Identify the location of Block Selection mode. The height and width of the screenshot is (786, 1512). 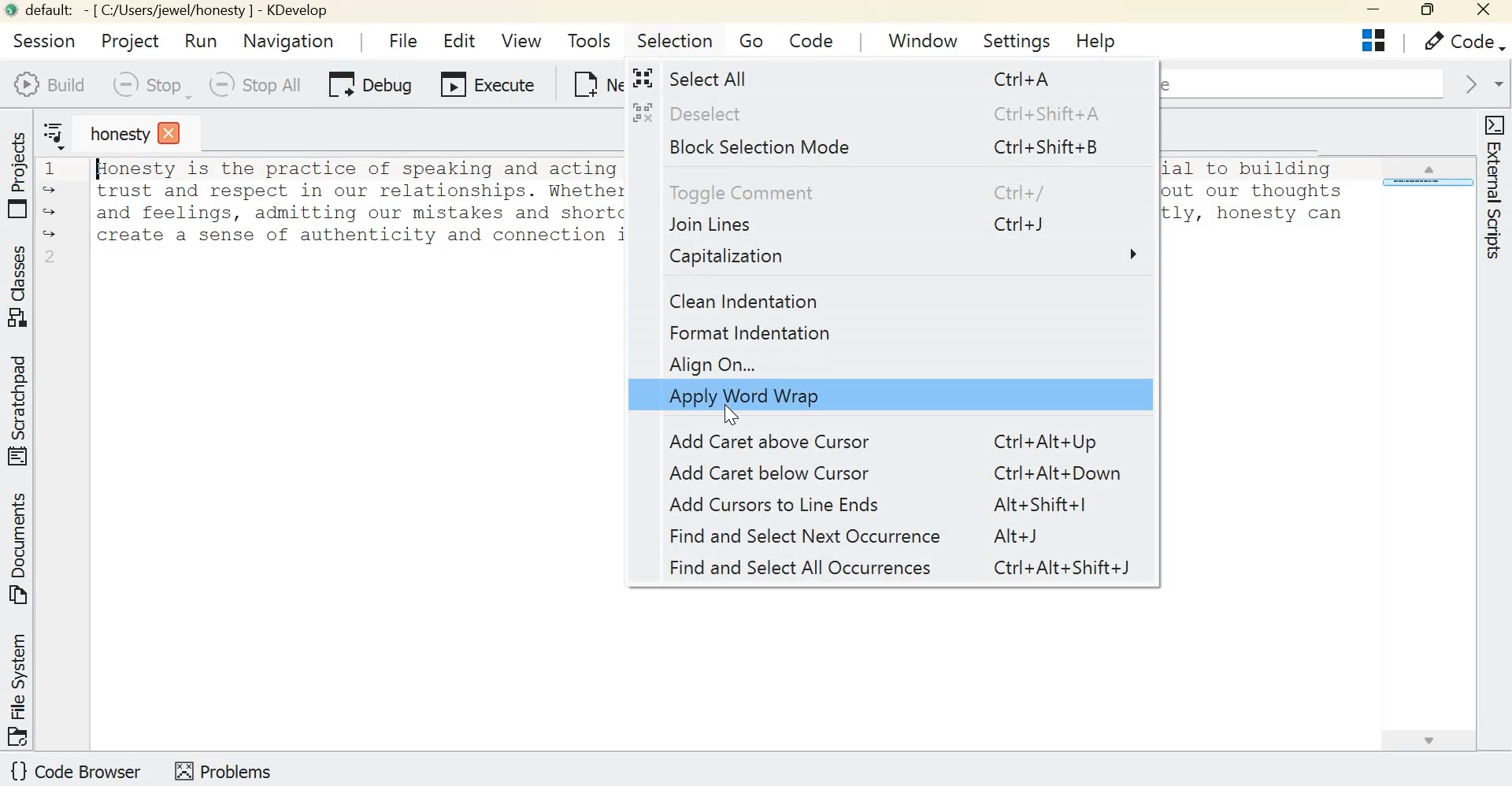
(888, 145).